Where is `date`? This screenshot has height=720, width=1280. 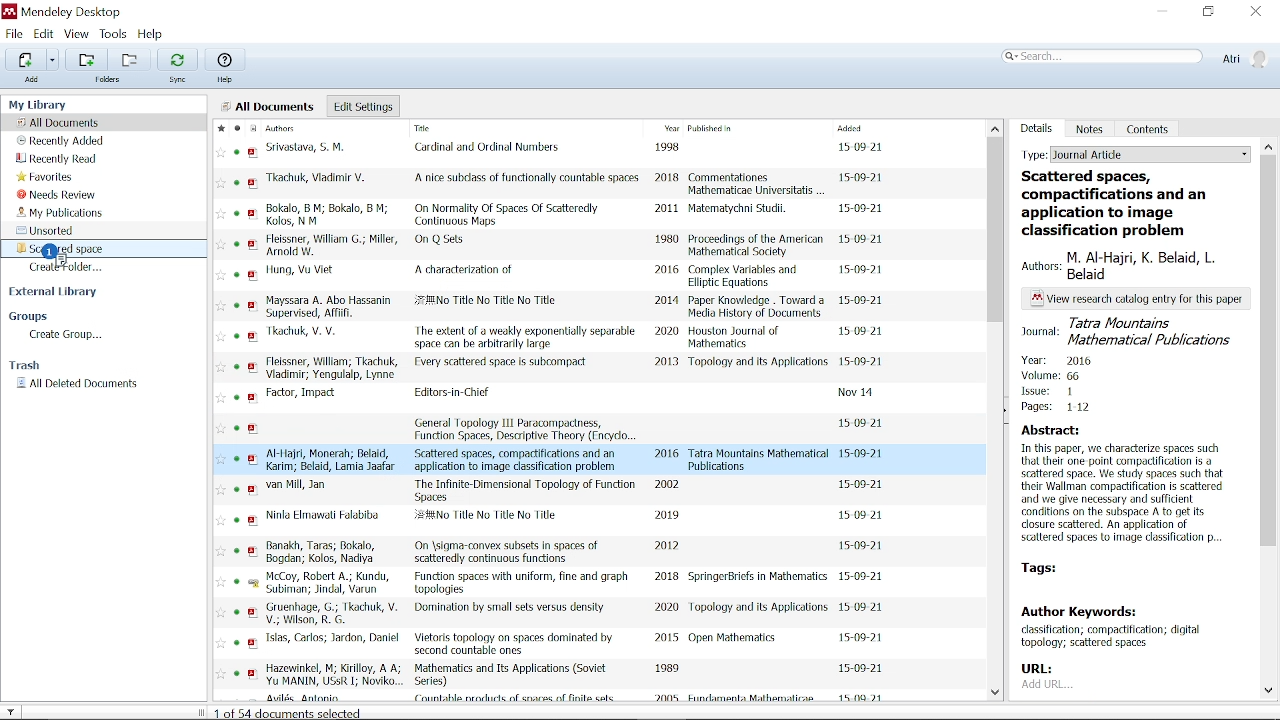 date is located at coordinates (865, 422).